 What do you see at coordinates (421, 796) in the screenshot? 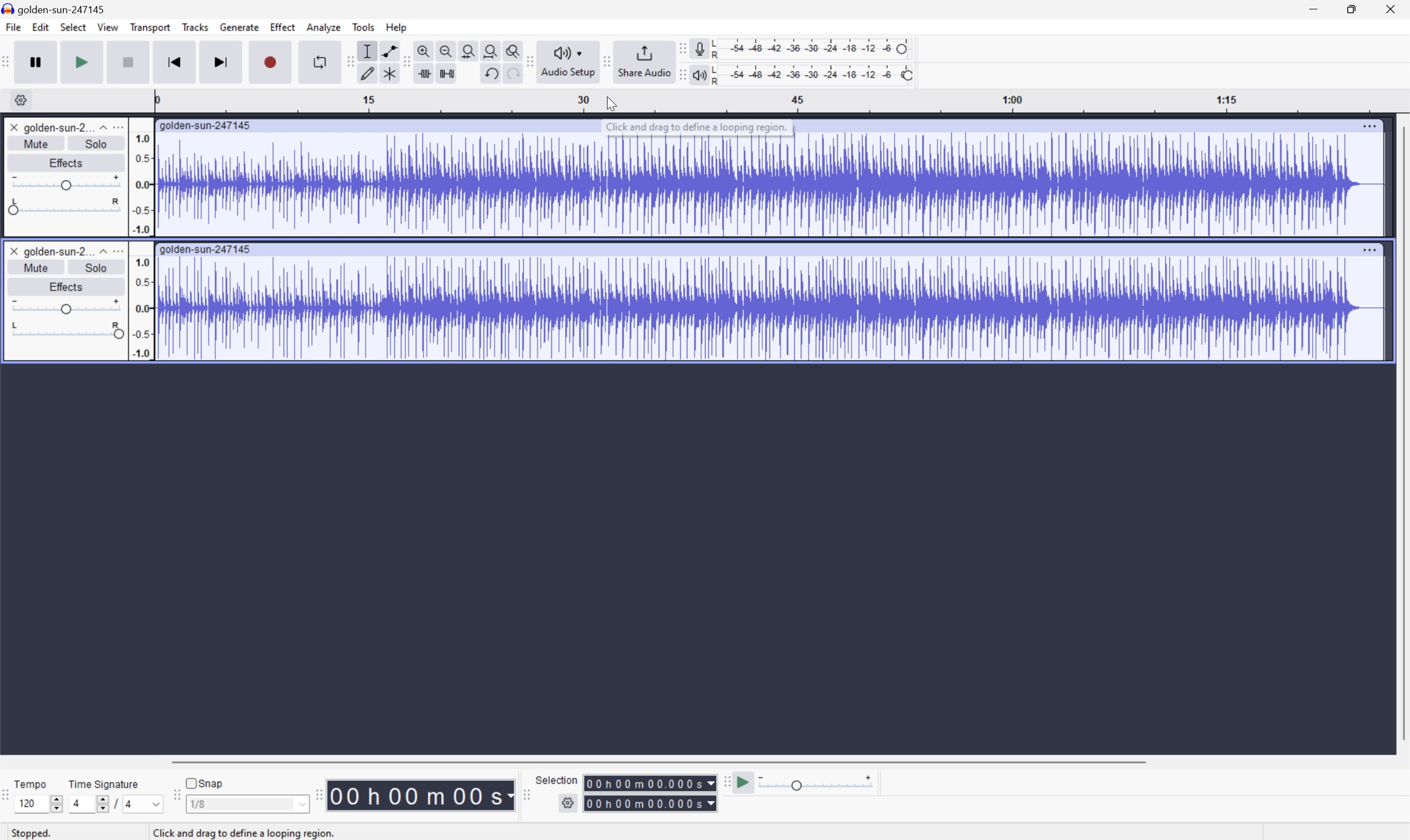
I see `Time` at bounding box center [421, 796].